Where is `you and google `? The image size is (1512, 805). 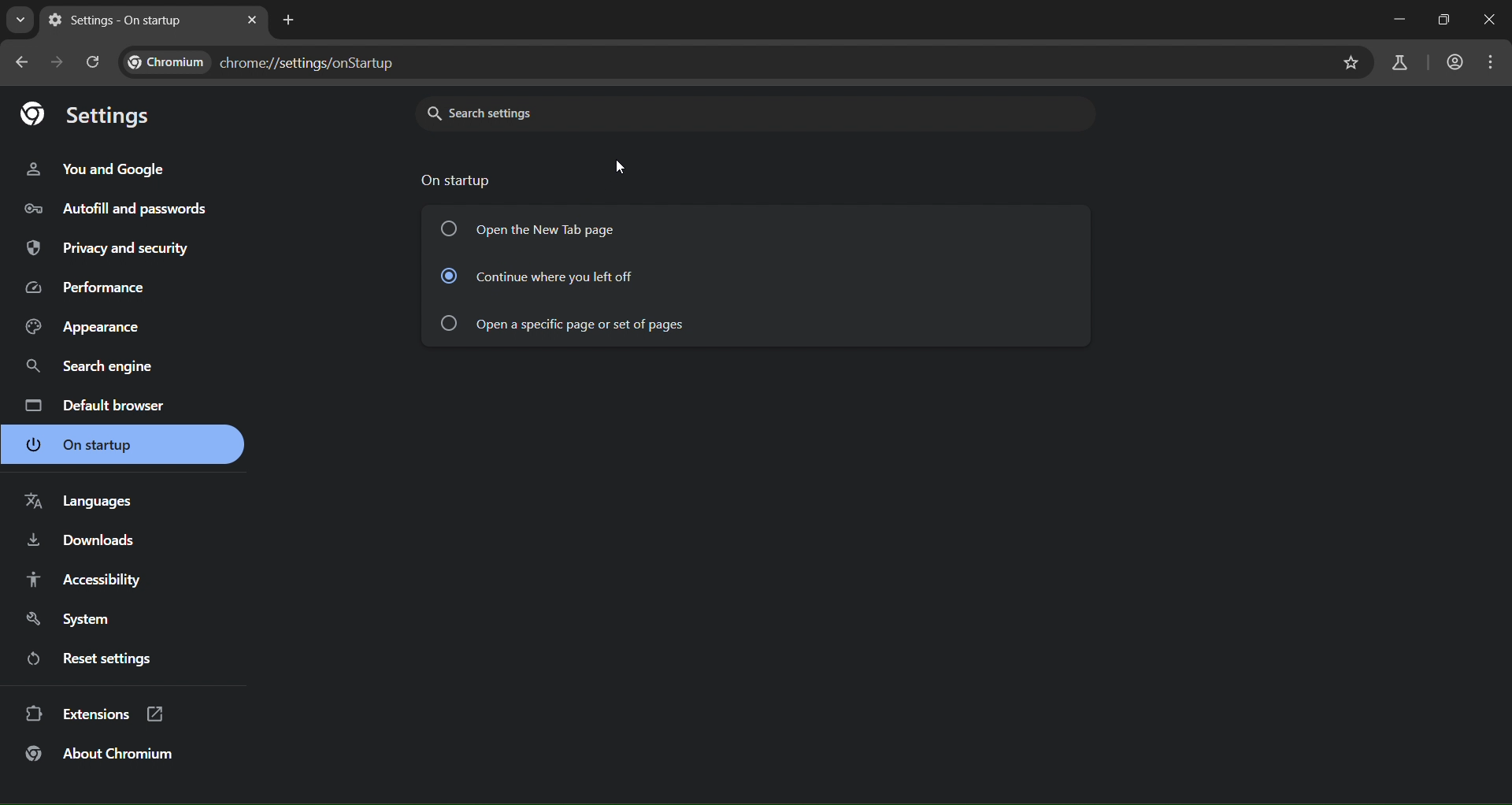 you and google  is located at coordinates (98, 172).